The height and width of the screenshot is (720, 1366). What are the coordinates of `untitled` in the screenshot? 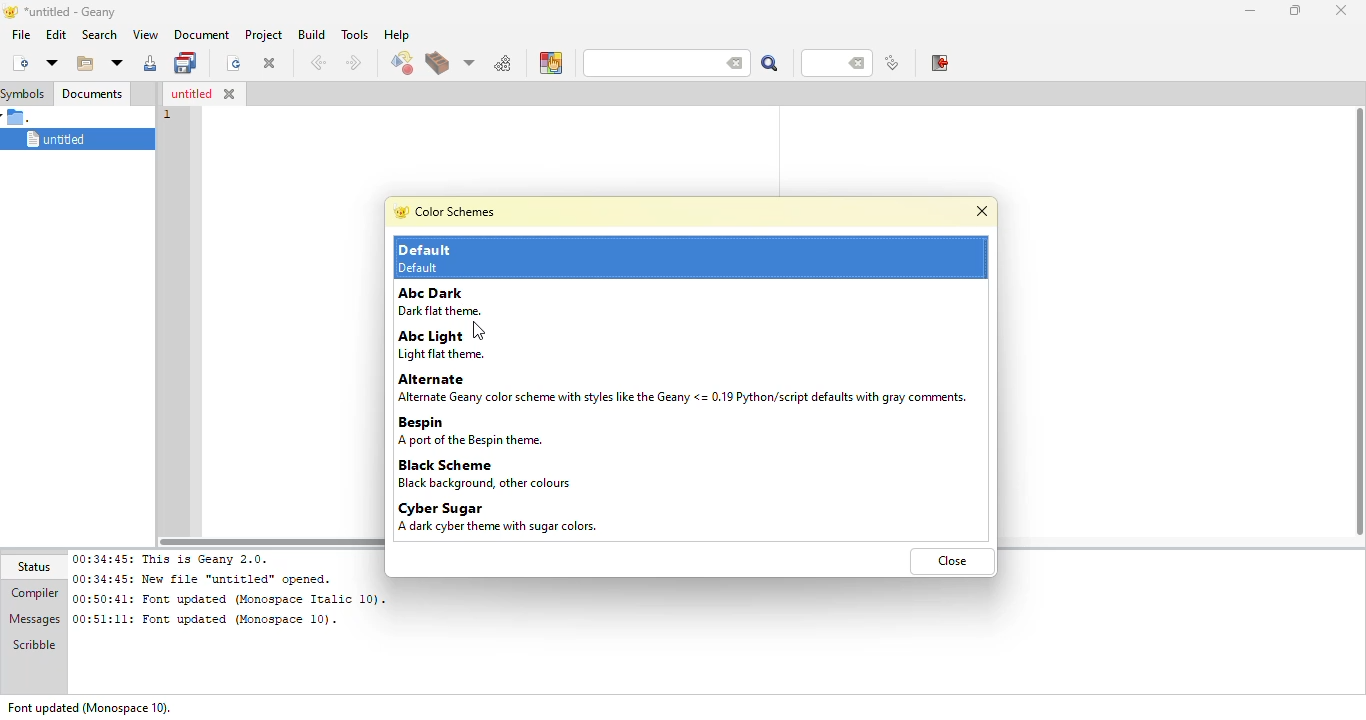 It's located at (189, 94).